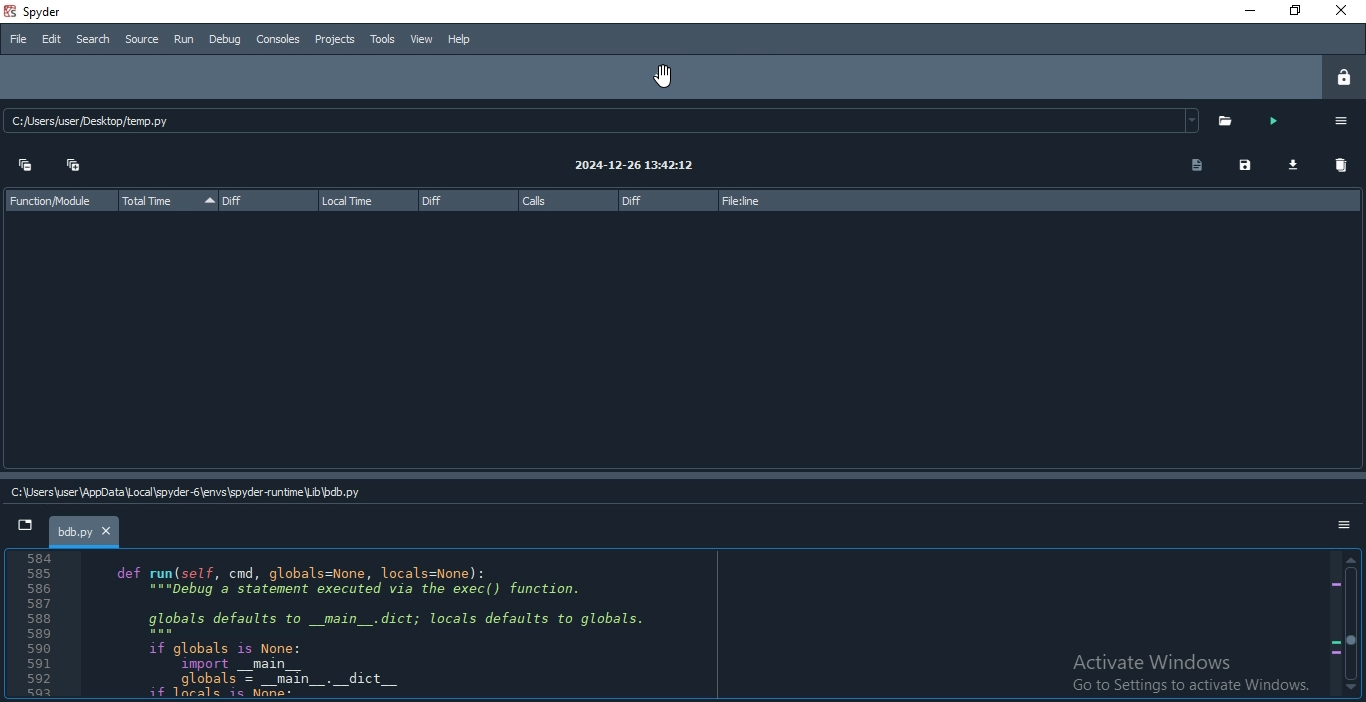 The height and width of the screenshot is (702, 1366). Describe the element at coordinates (1336, 122) in the screenshot. I see `options` at that location.